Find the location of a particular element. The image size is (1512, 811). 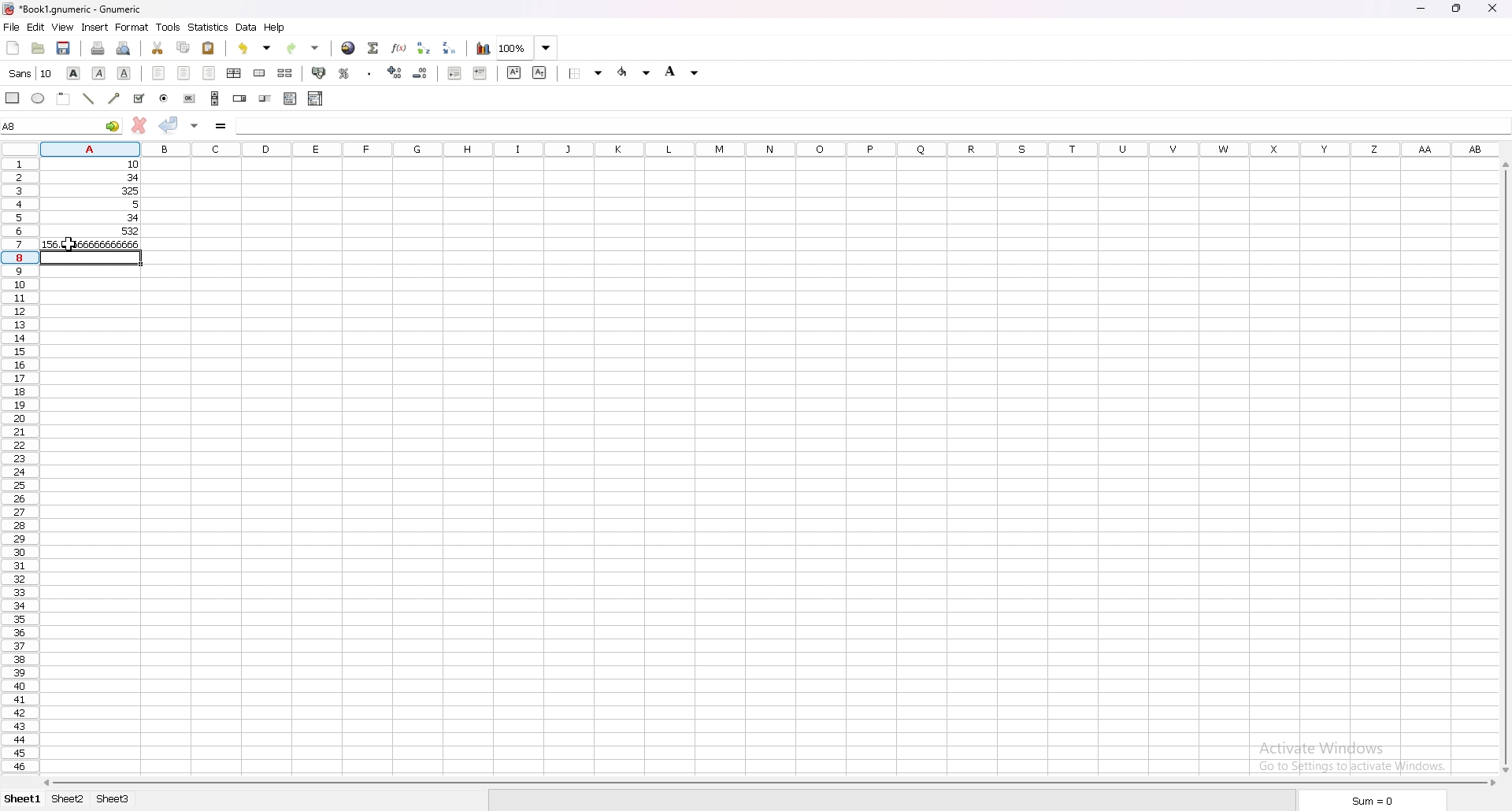

format is located at coordinates (133, 27).